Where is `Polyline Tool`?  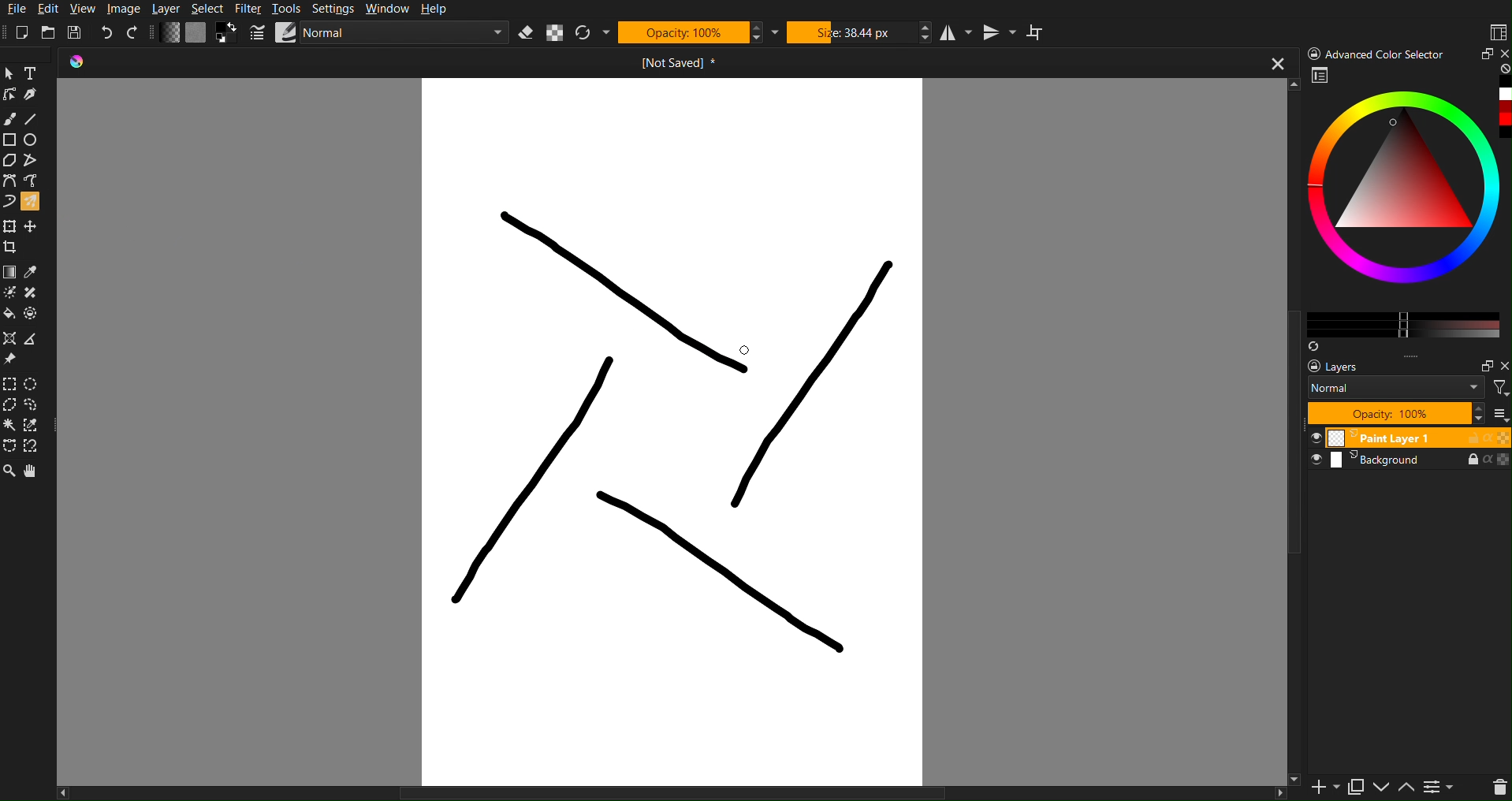 Polyline Tool is located at coordinates (34, 161).